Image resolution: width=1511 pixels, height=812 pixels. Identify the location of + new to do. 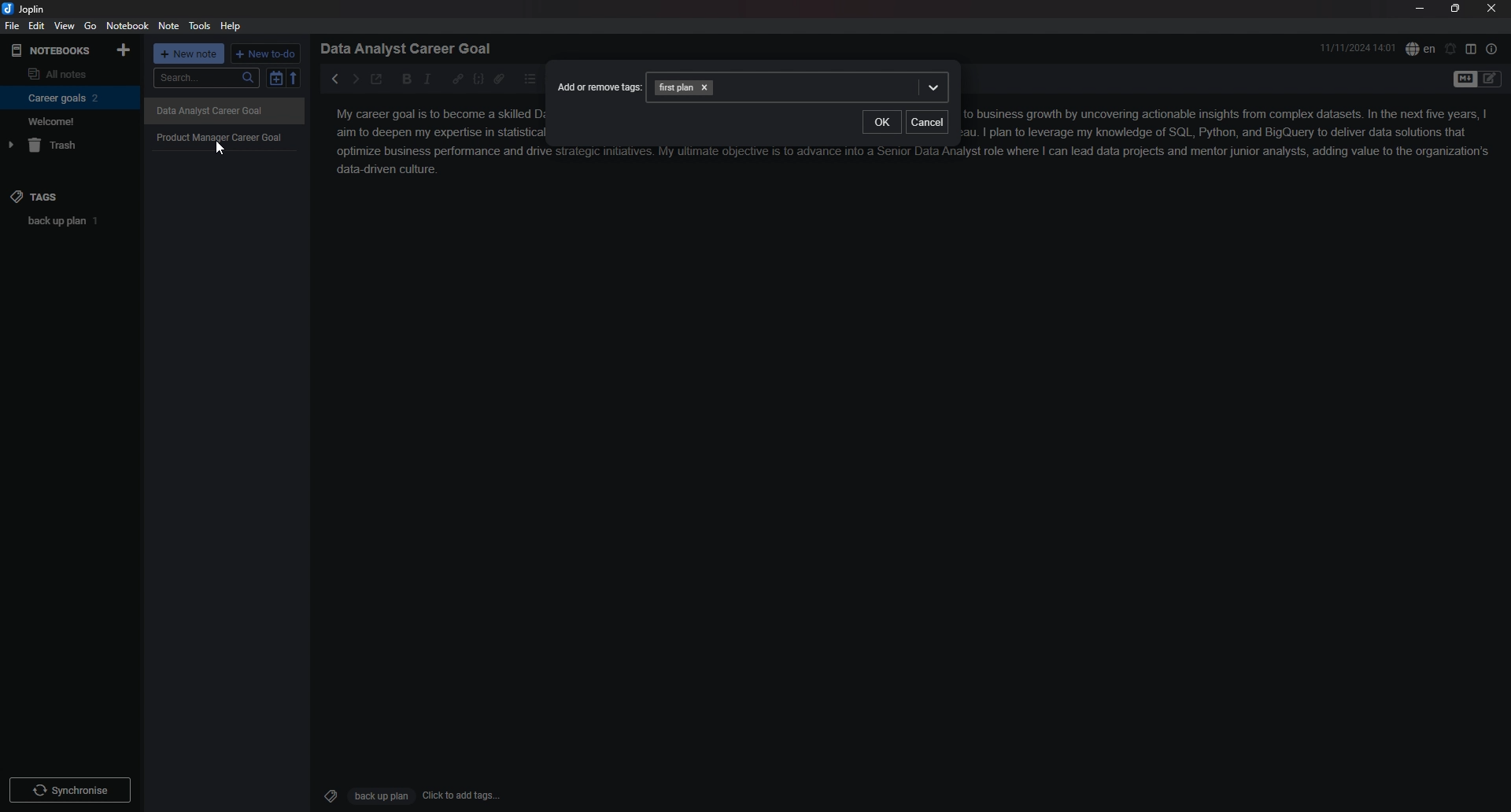
(264, 54).